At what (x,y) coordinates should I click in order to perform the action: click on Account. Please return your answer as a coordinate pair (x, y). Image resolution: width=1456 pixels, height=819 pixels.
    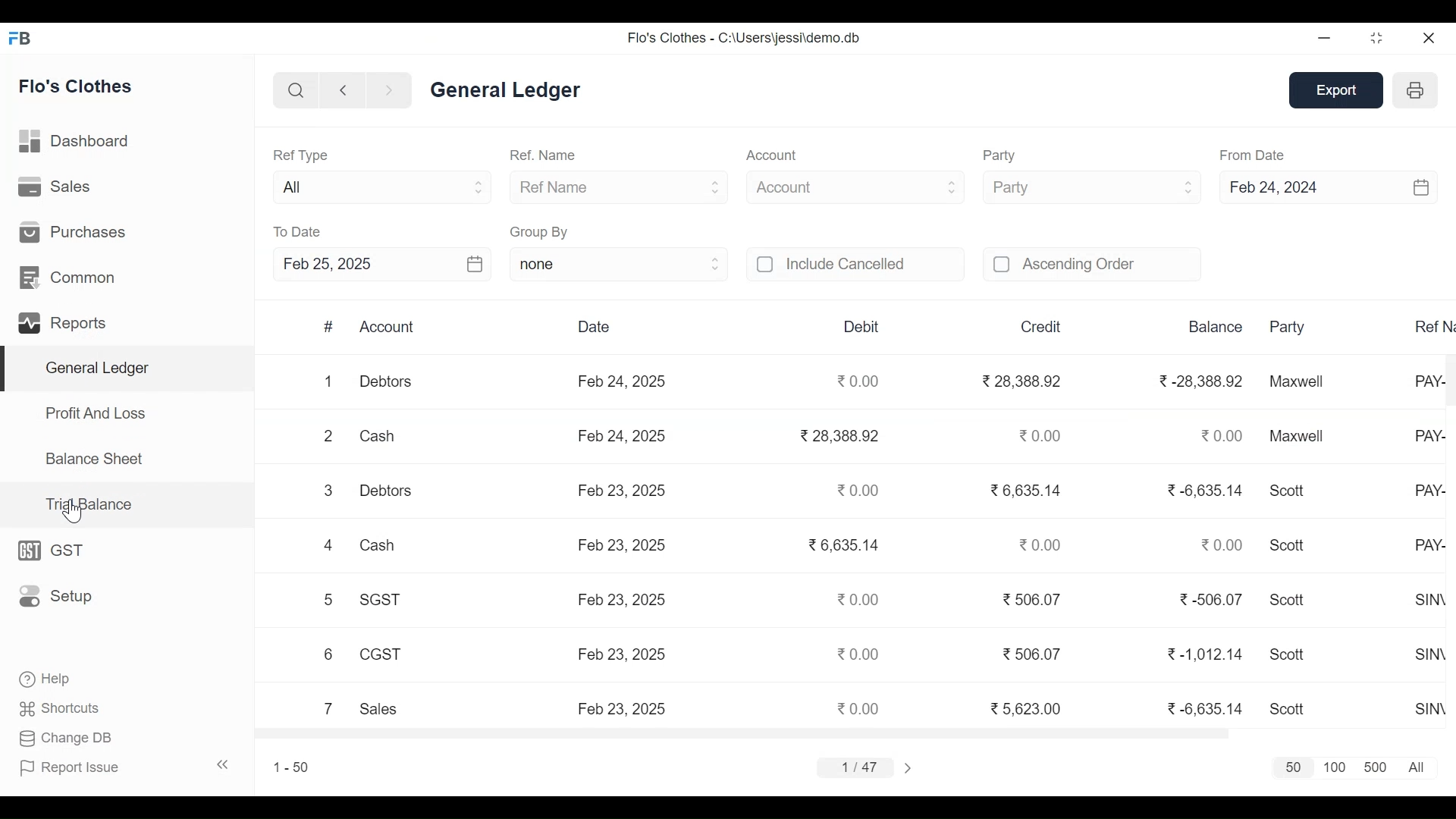
    Looking at the image, I should click on (391, 327).